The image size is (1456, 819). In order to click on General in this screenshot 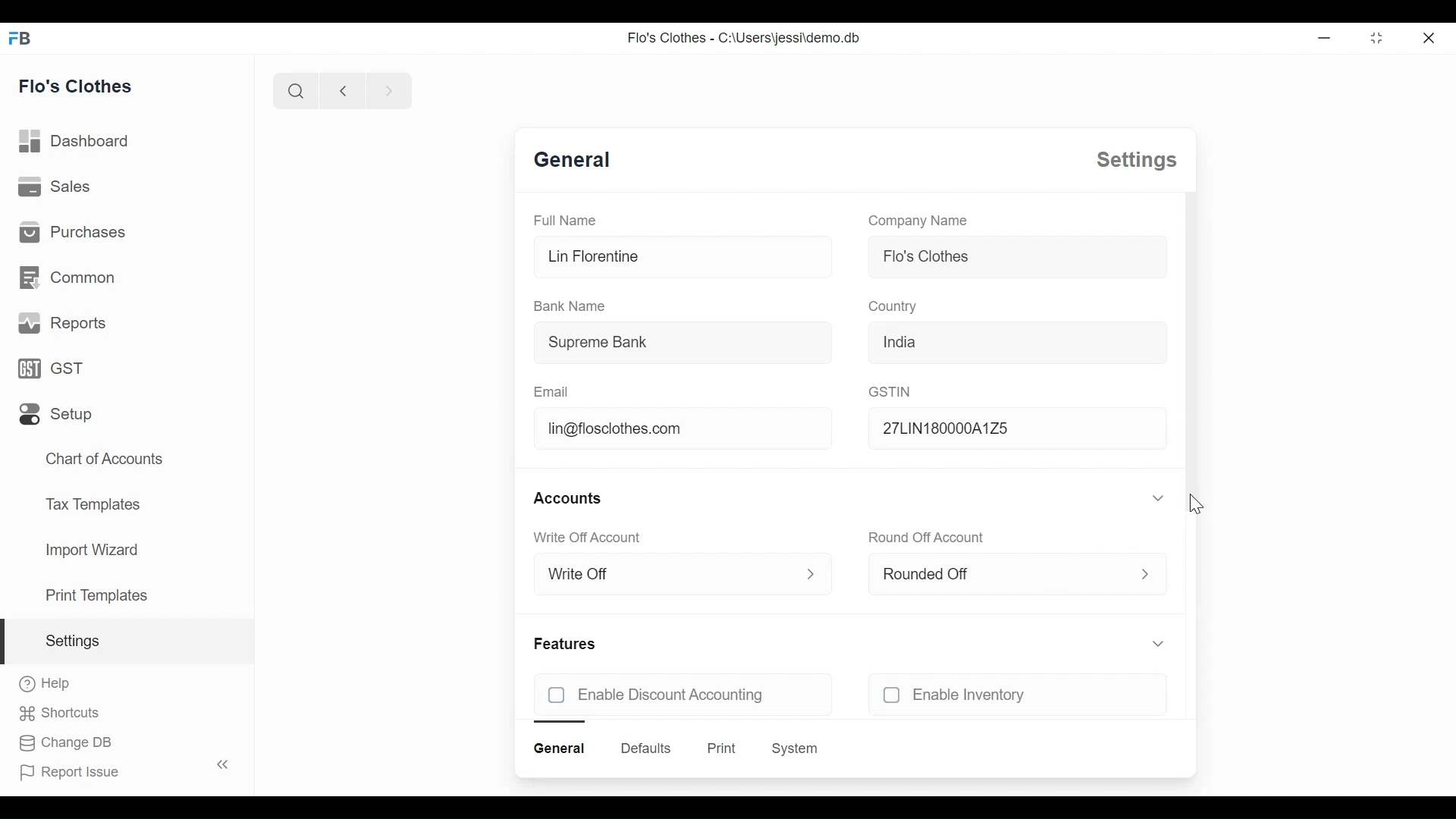, I will do `click(562, 748)`.